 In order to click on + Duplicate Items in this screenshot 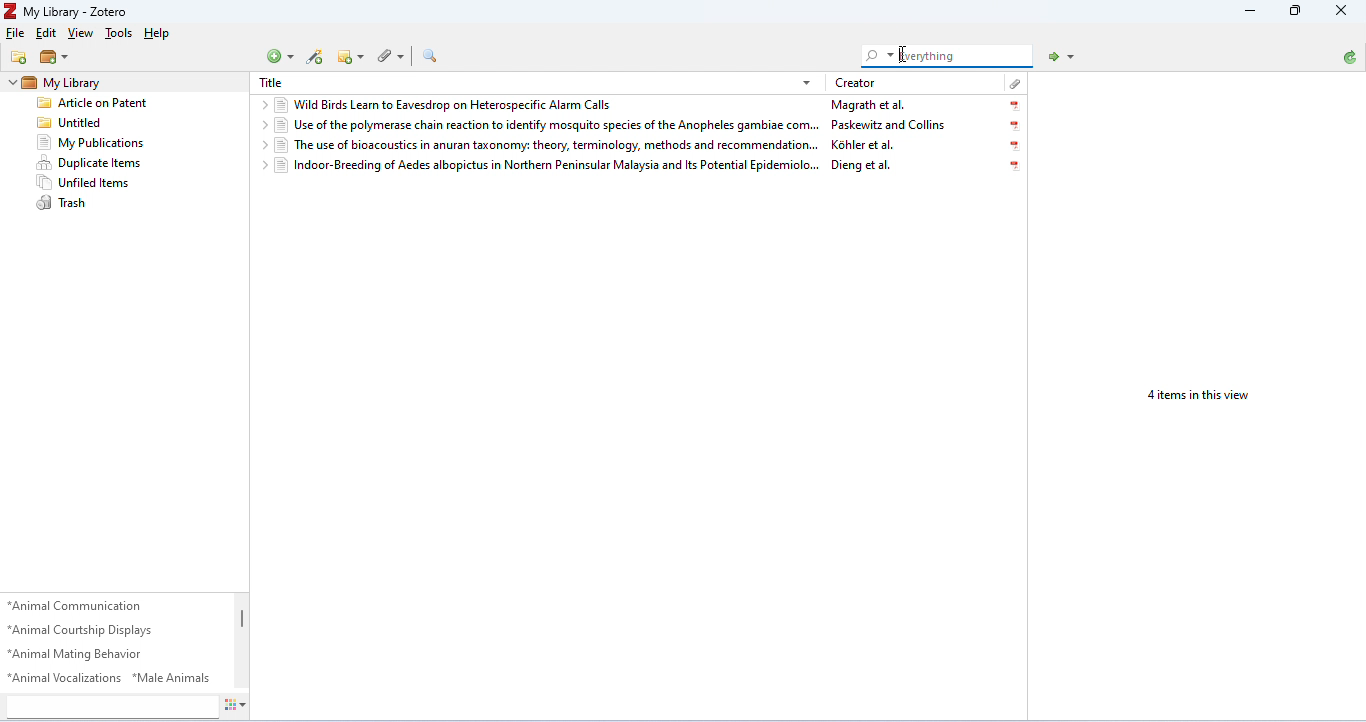, I will do `click(105, 163)`.